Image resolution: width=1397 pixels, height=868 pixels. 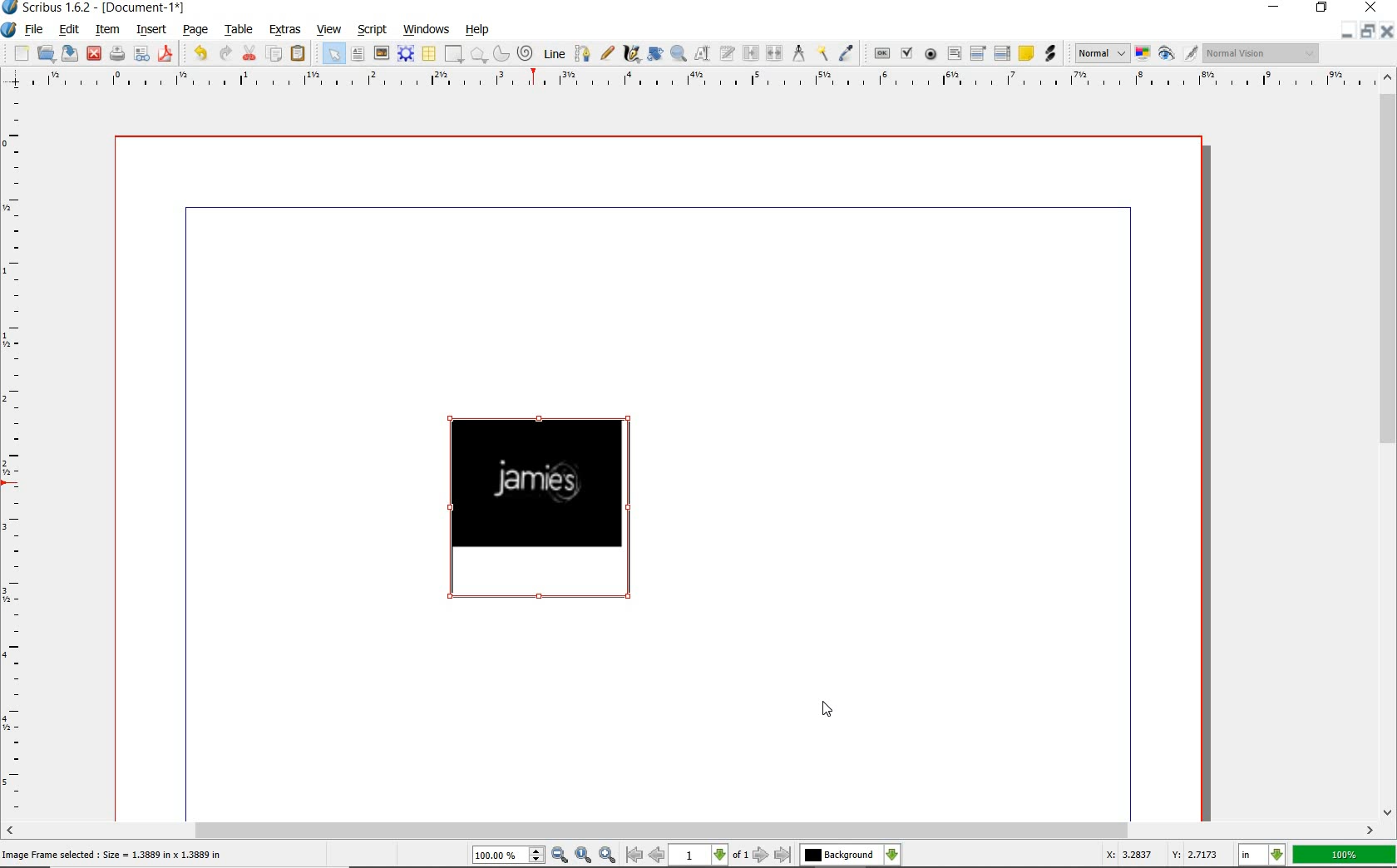 I want to click on pdf combo box, so click(x=975, y=53).